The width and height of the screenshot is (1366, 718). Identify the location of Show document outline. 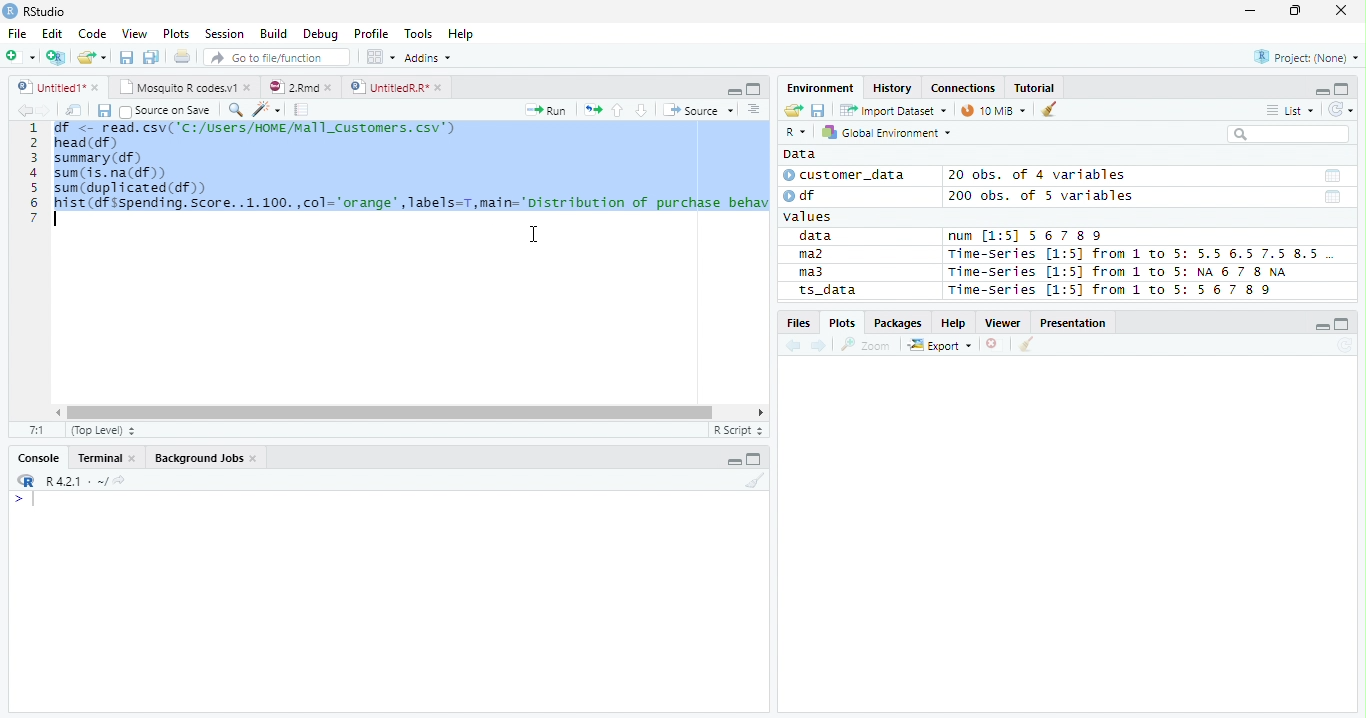
(752, 109).